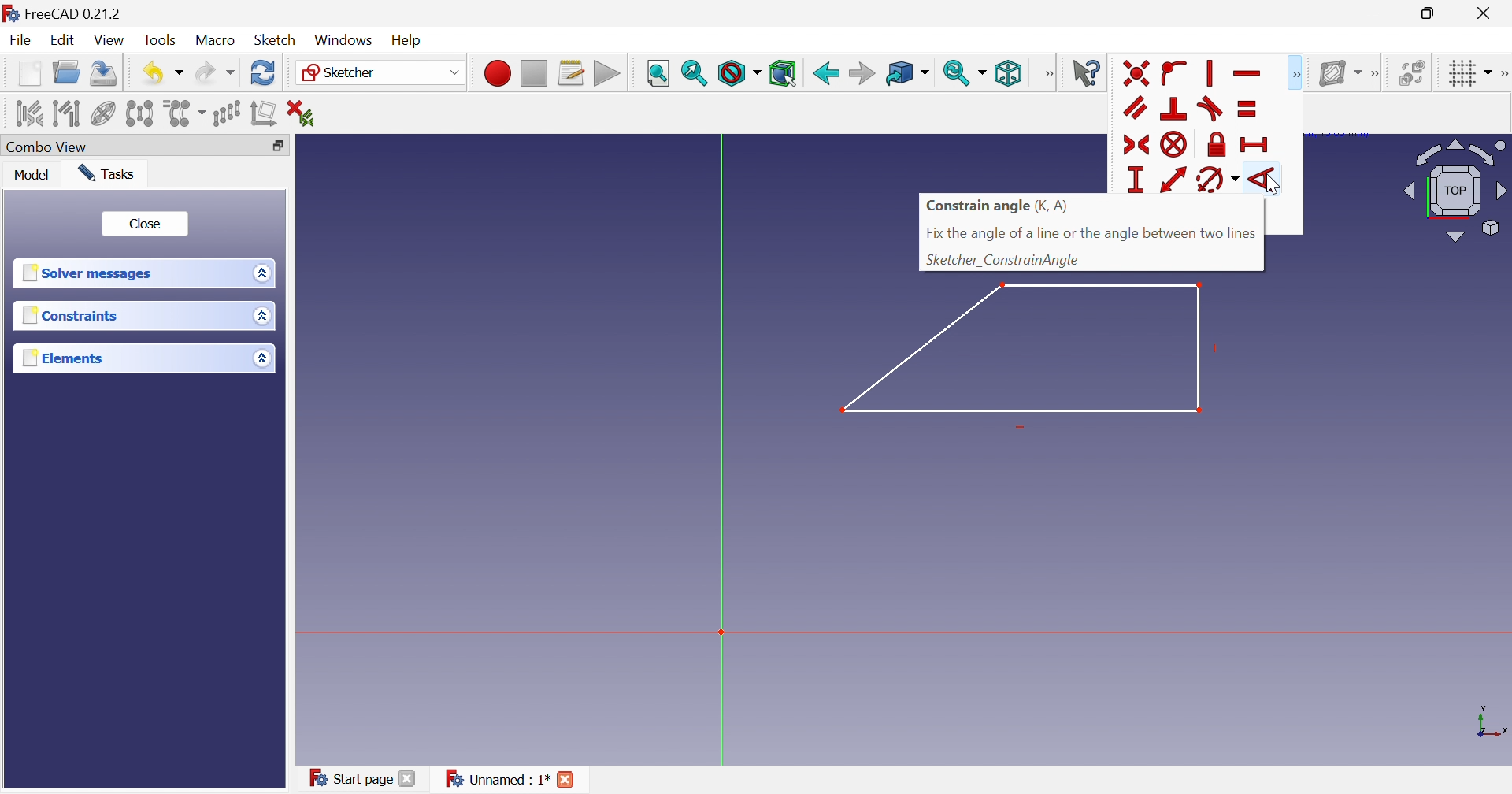  What do you see at coordinates (259, 273) in the screenshot?
I see `Drop Down` at bounding box center [259, 273].